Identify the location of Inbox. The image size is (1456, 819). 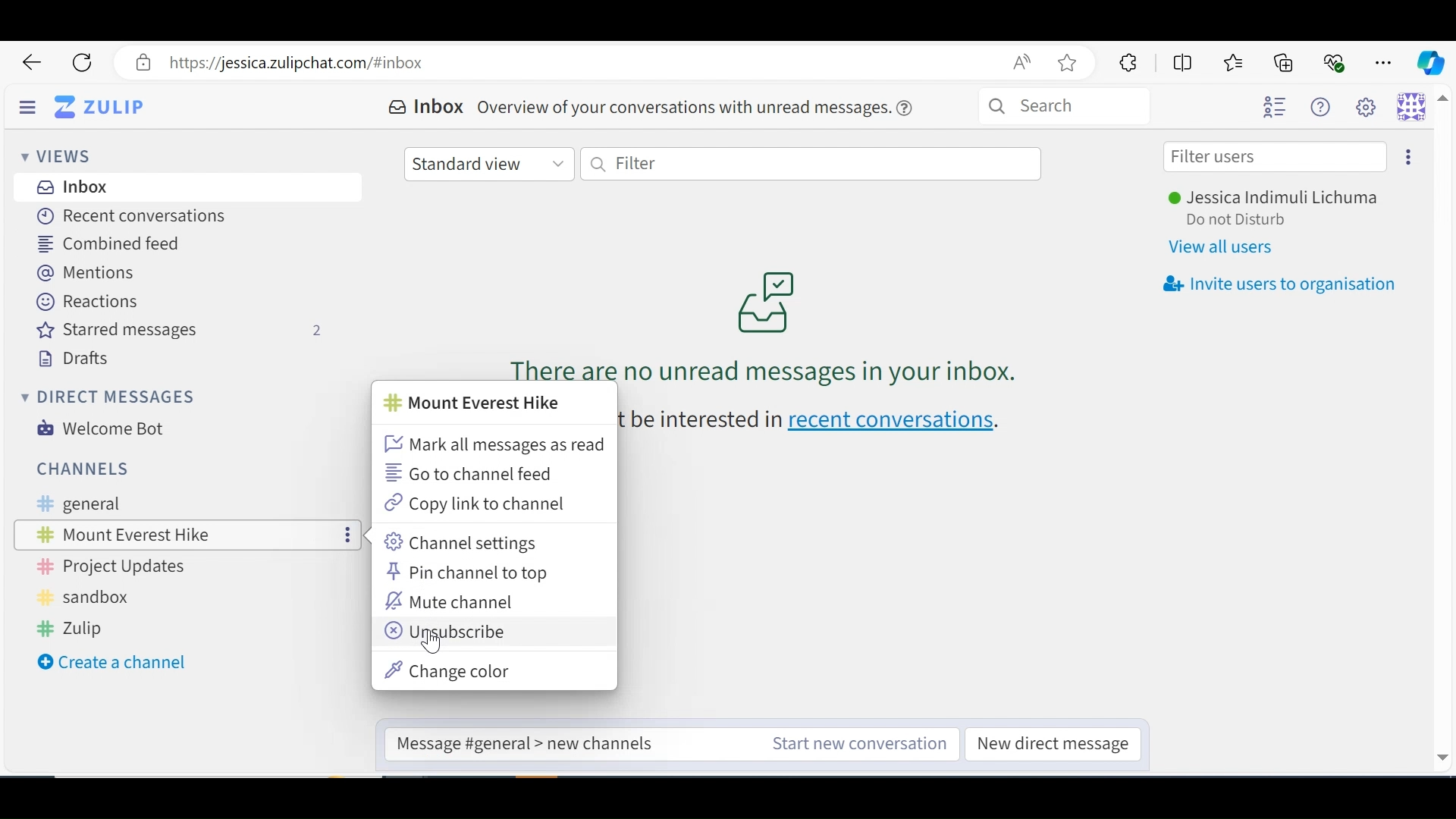
(428, 108).